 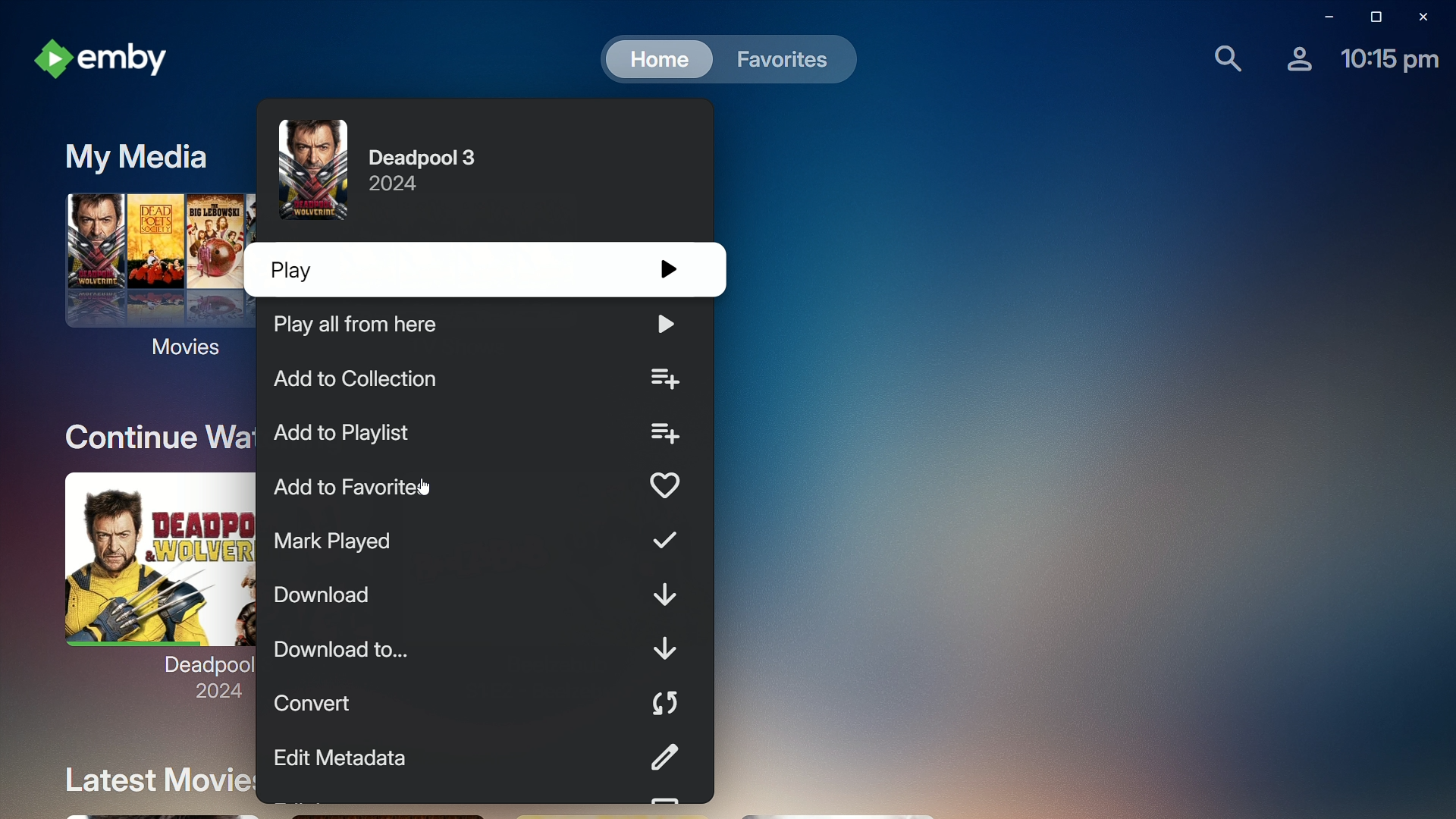 I want to click on Favorites, so click(x=774, y=58).